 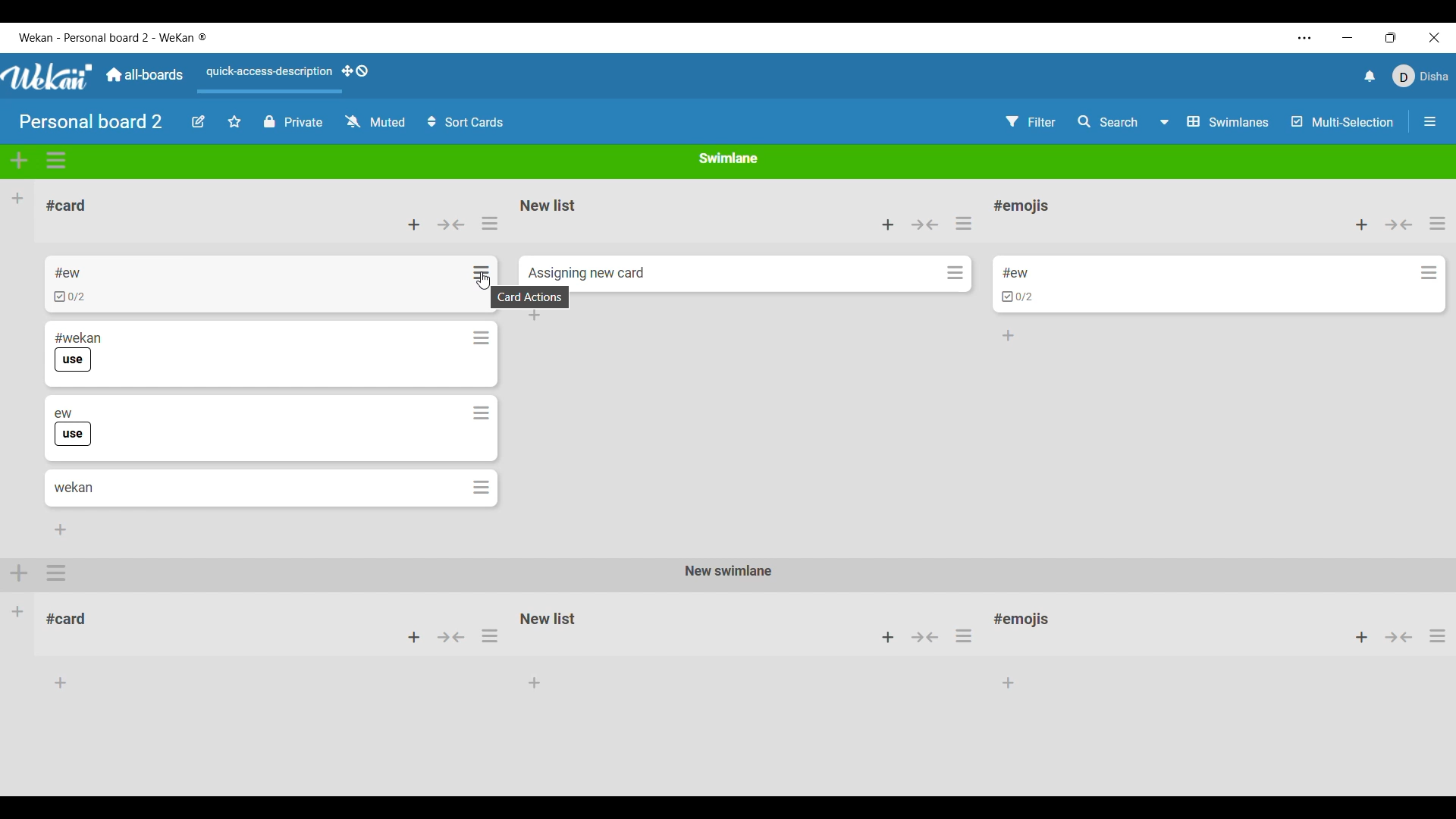 I want to click on Swimlane actions, so click(x=57, y=161).